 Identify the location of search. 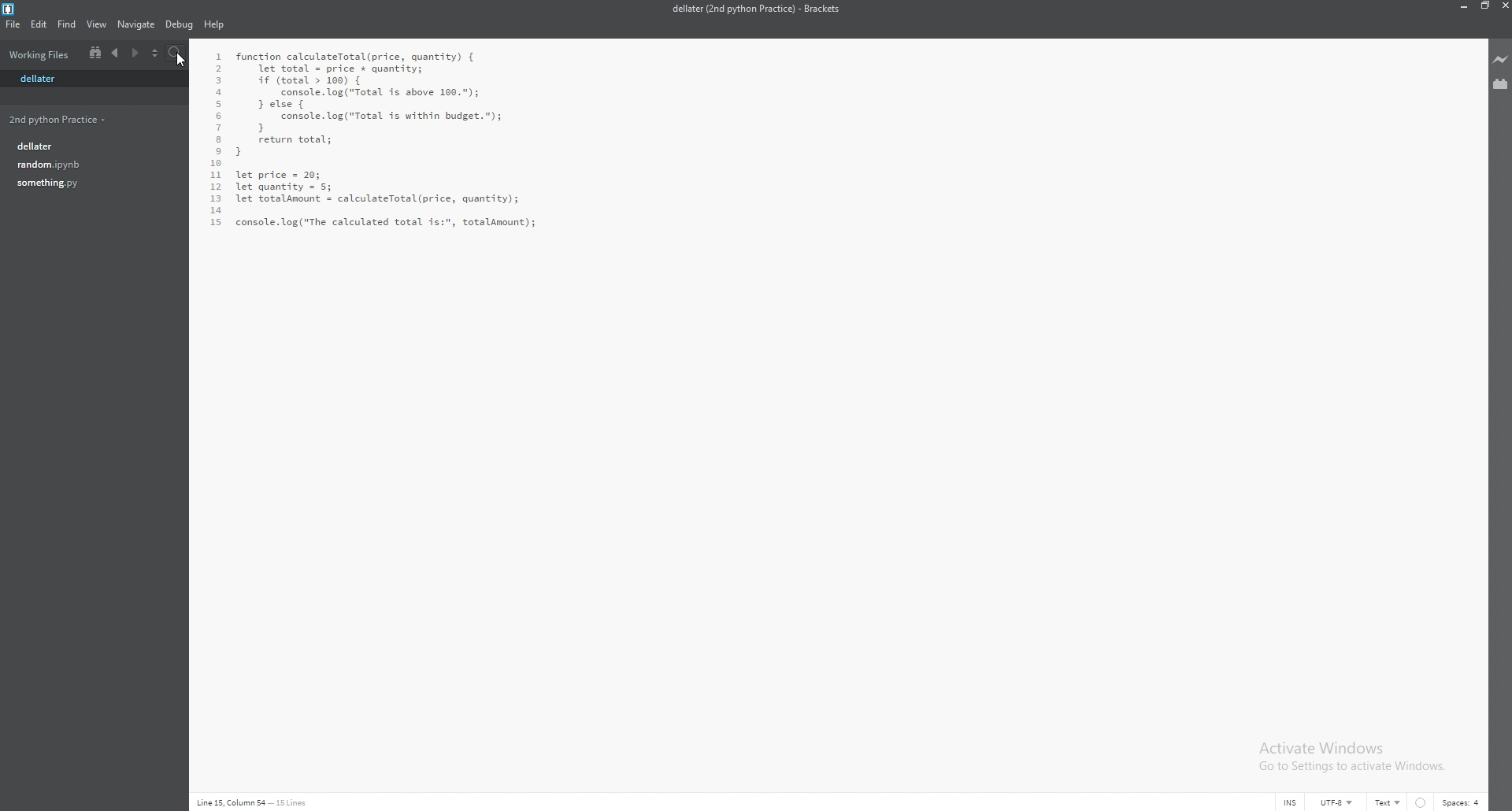
(176, 54).